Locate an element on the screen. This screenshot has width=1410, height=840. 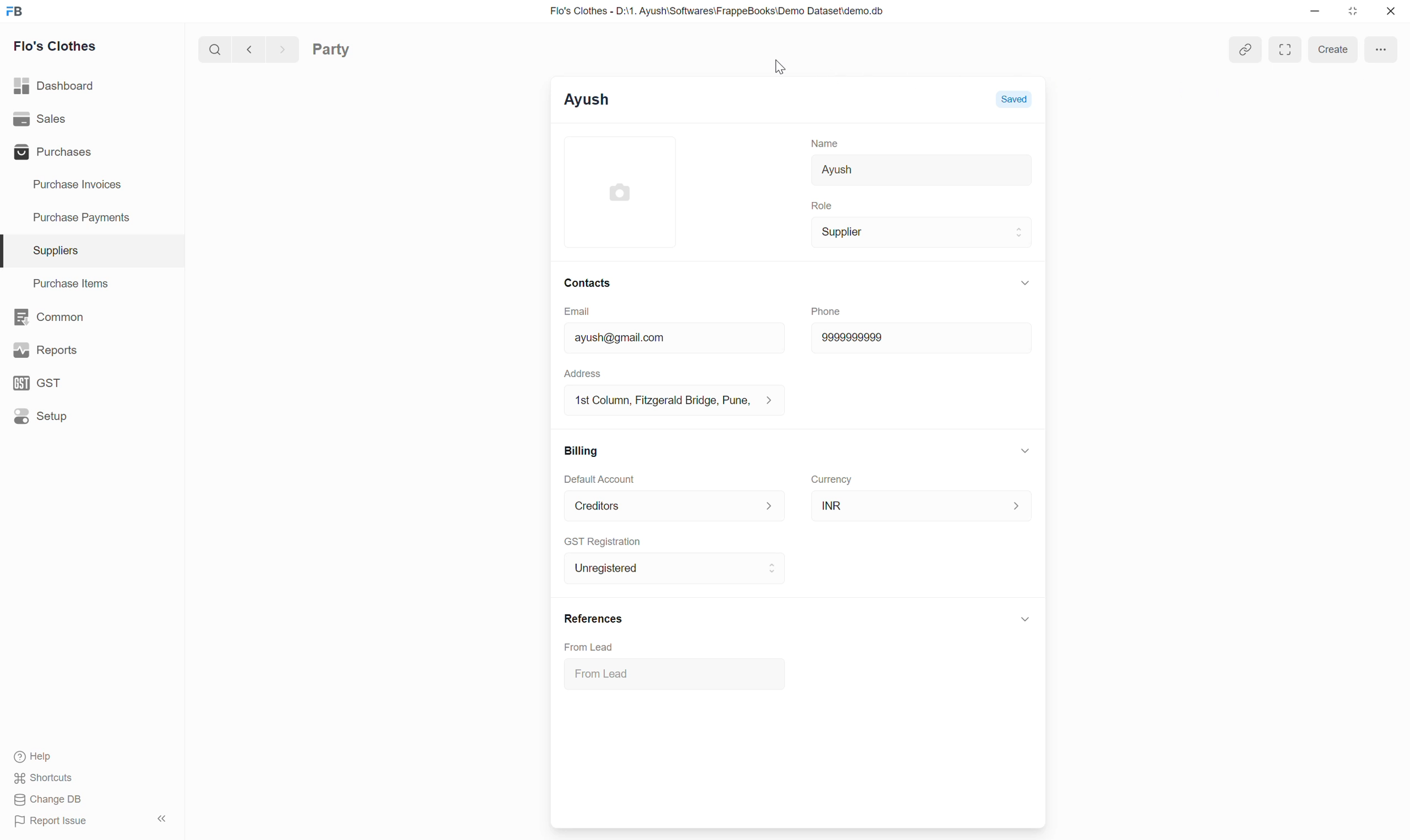
Shortcuts is located at coordinates (44, 778).